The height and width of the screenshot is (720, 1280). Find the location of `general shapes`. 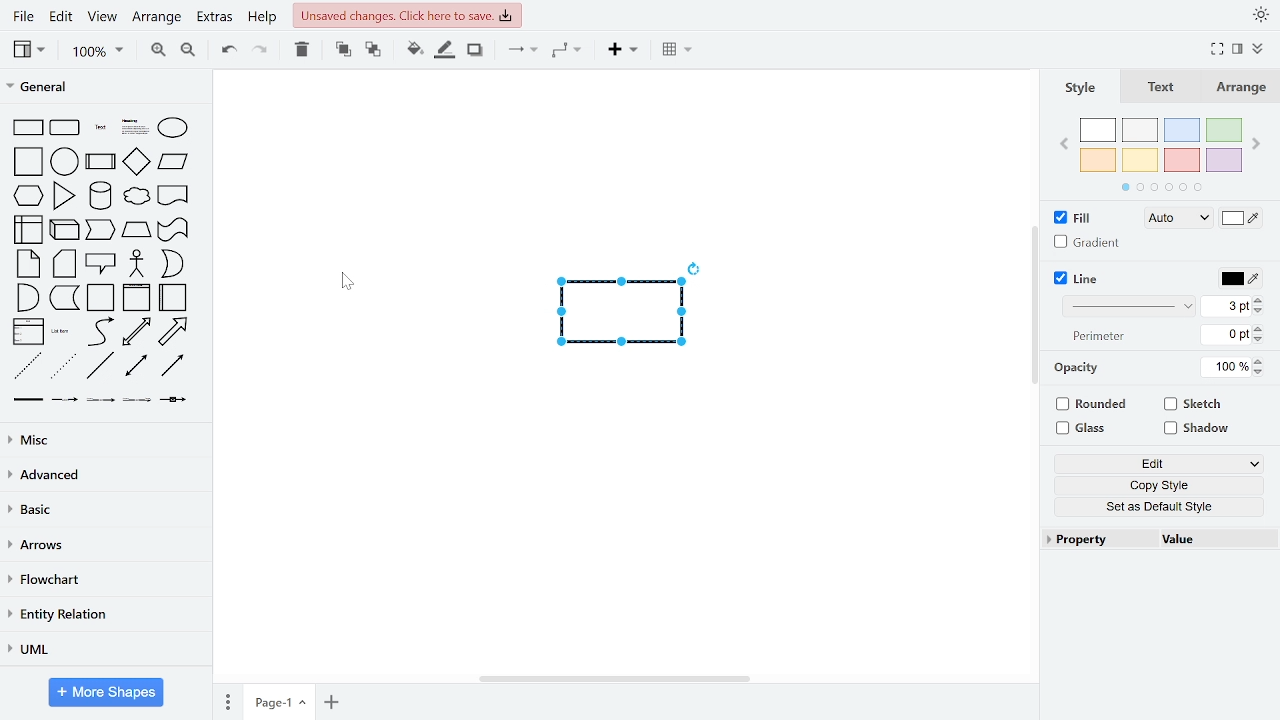

general shapes is located at coordinates (26, 297).